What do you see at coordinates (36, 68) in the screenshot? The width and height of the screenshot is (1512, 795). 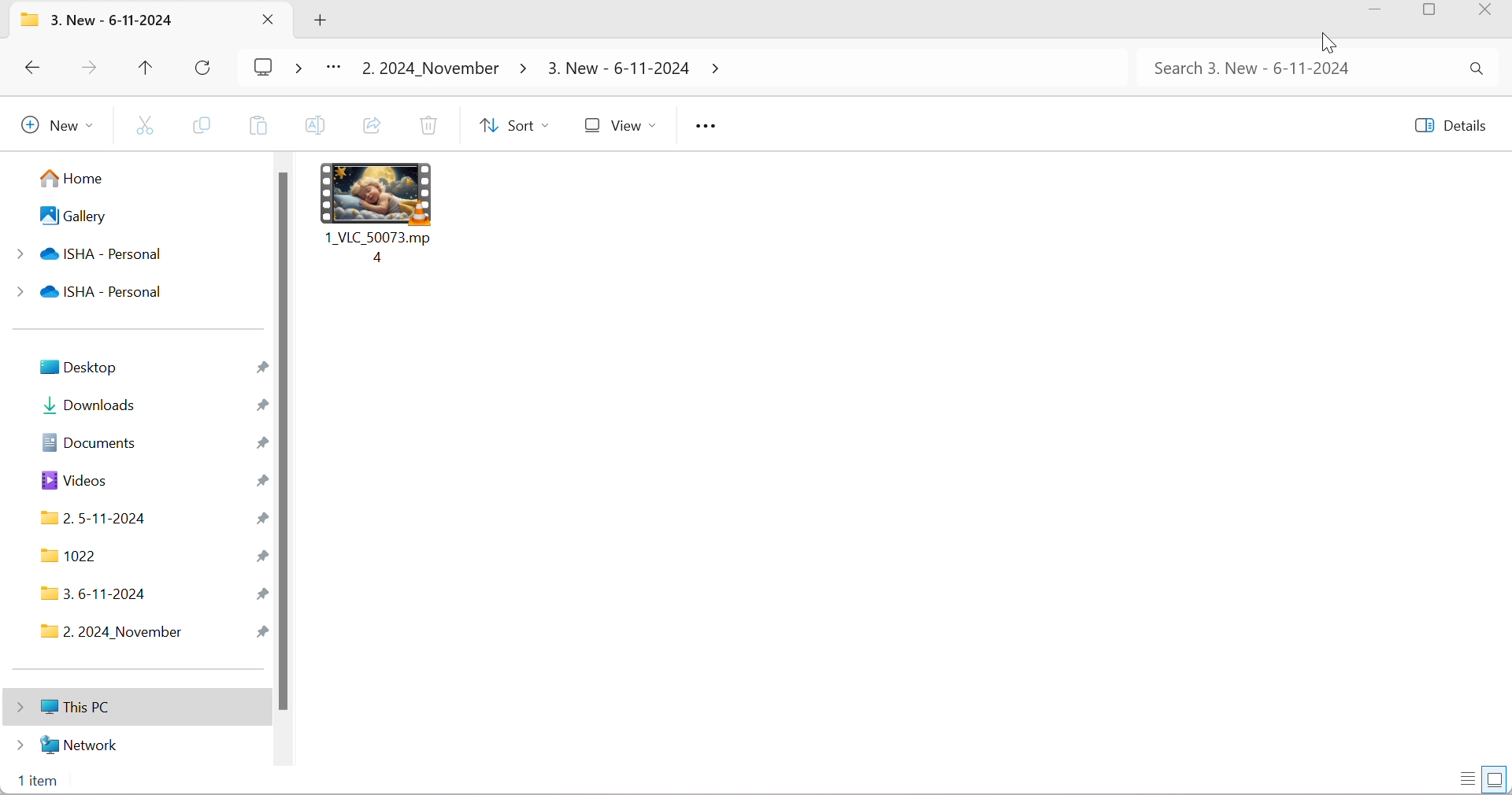 I see `Back to new folder` at bounding box center [36, 68].